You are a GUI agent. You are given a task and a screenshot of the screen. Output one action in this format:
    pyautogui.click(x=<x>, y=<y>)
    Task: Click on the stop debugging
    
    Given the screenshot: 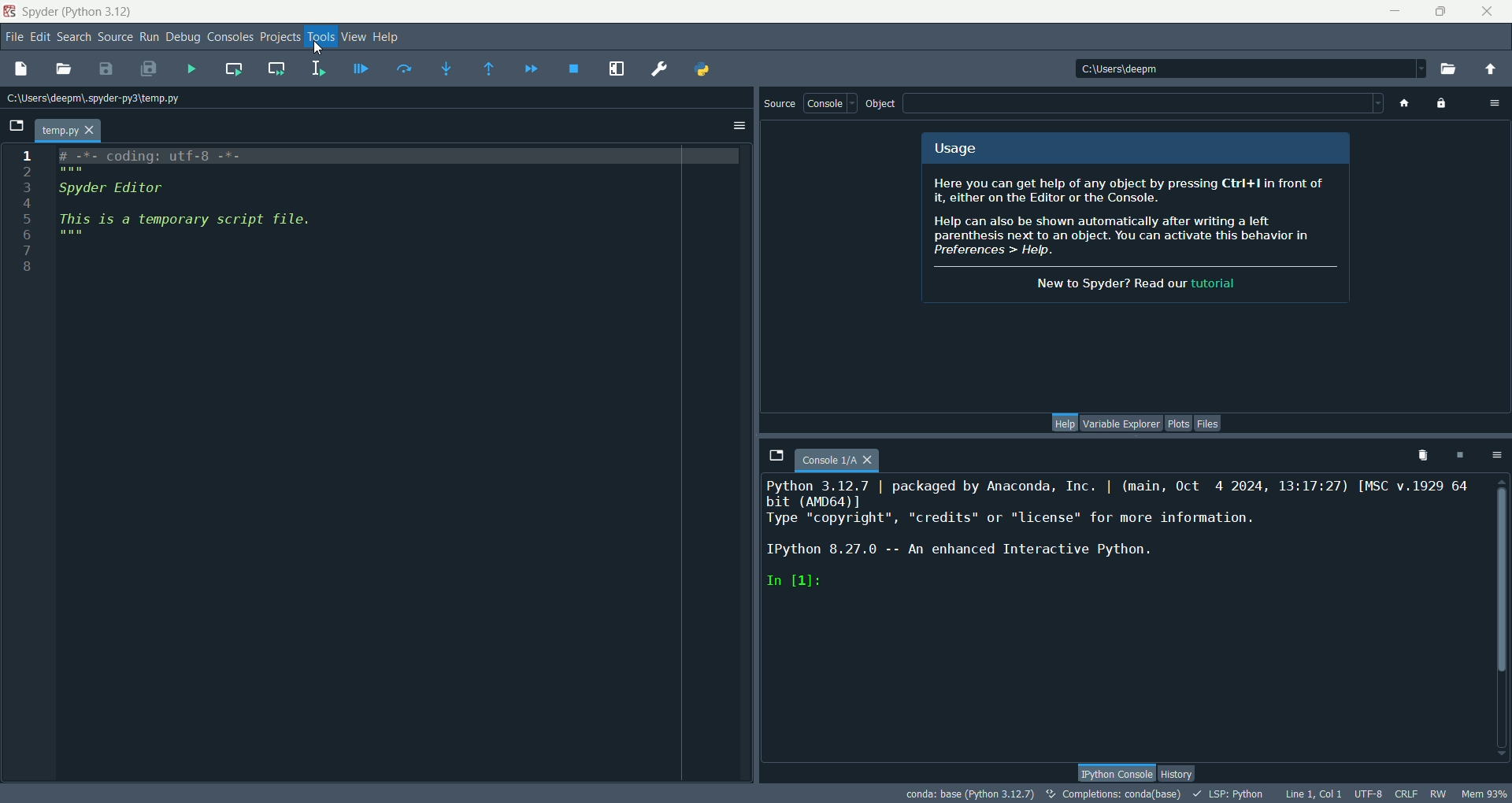 What is the action you would take?
    pyautogui.click(x=576, y=69)
    